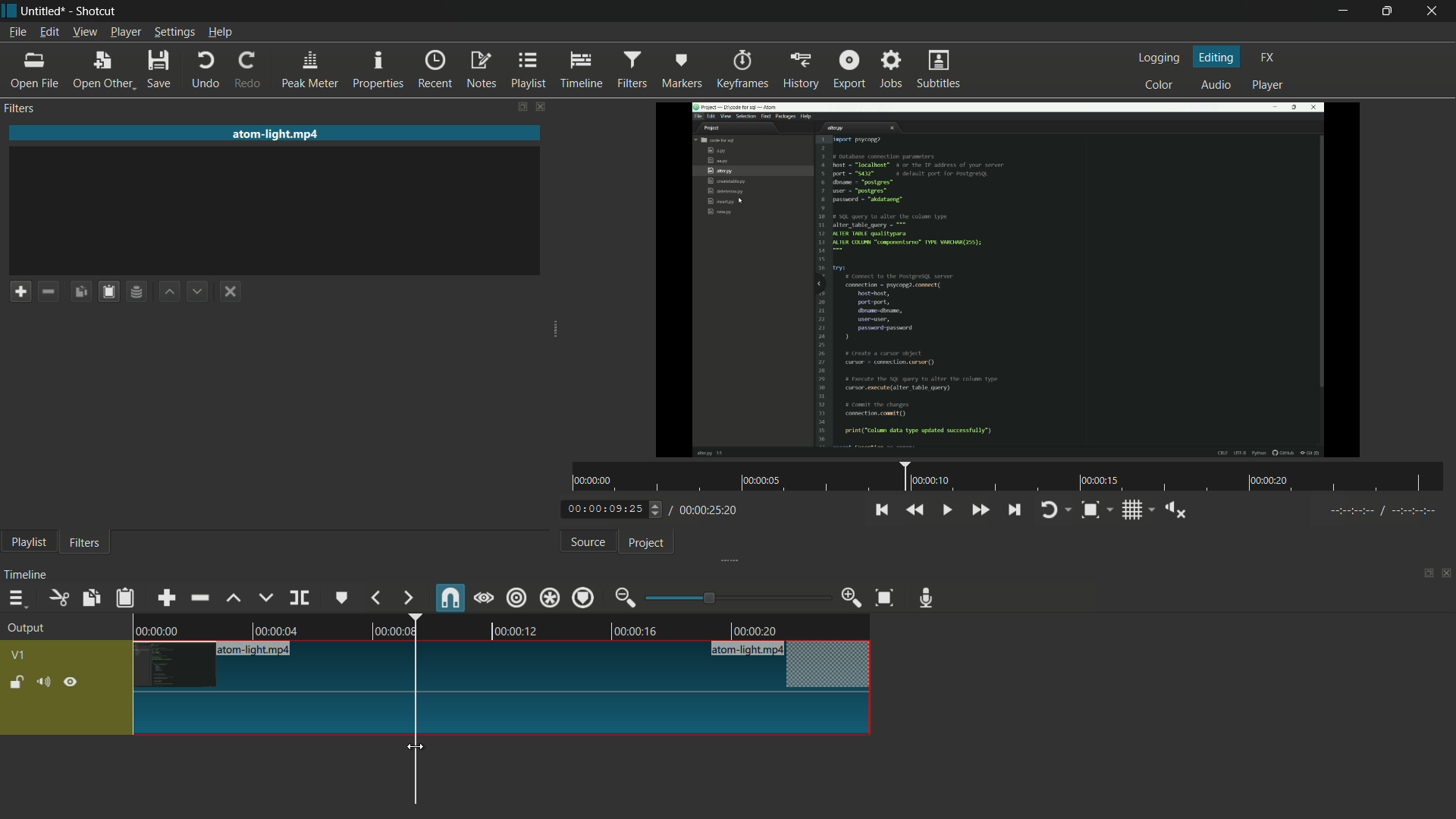 Image resolution: width=1456 pixels, height=819 pixels. I want to click on keyframes, so click(740, 70).